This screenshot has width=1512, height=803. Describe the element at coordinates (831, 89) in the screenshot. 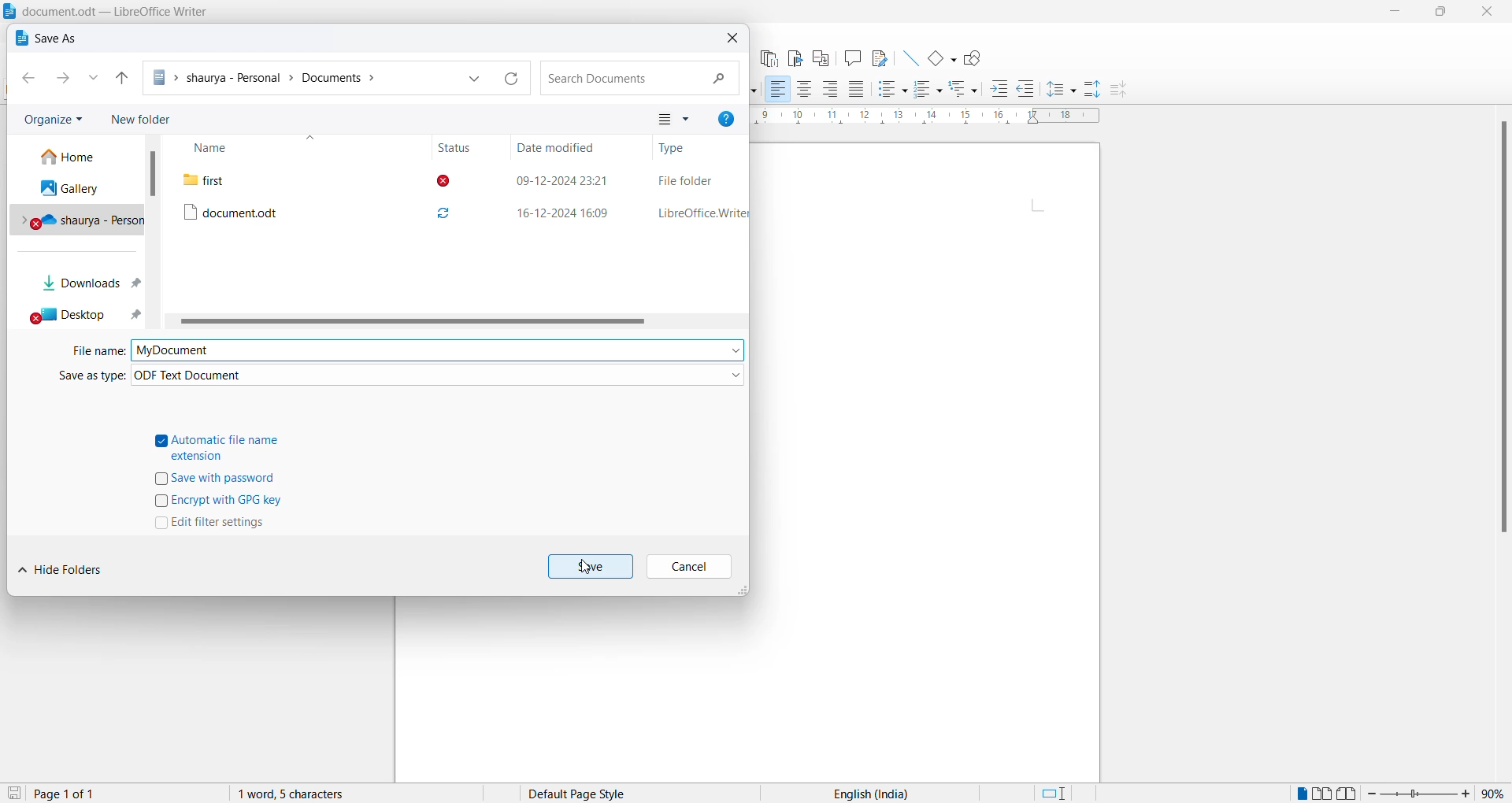

I see `align right` at that location.